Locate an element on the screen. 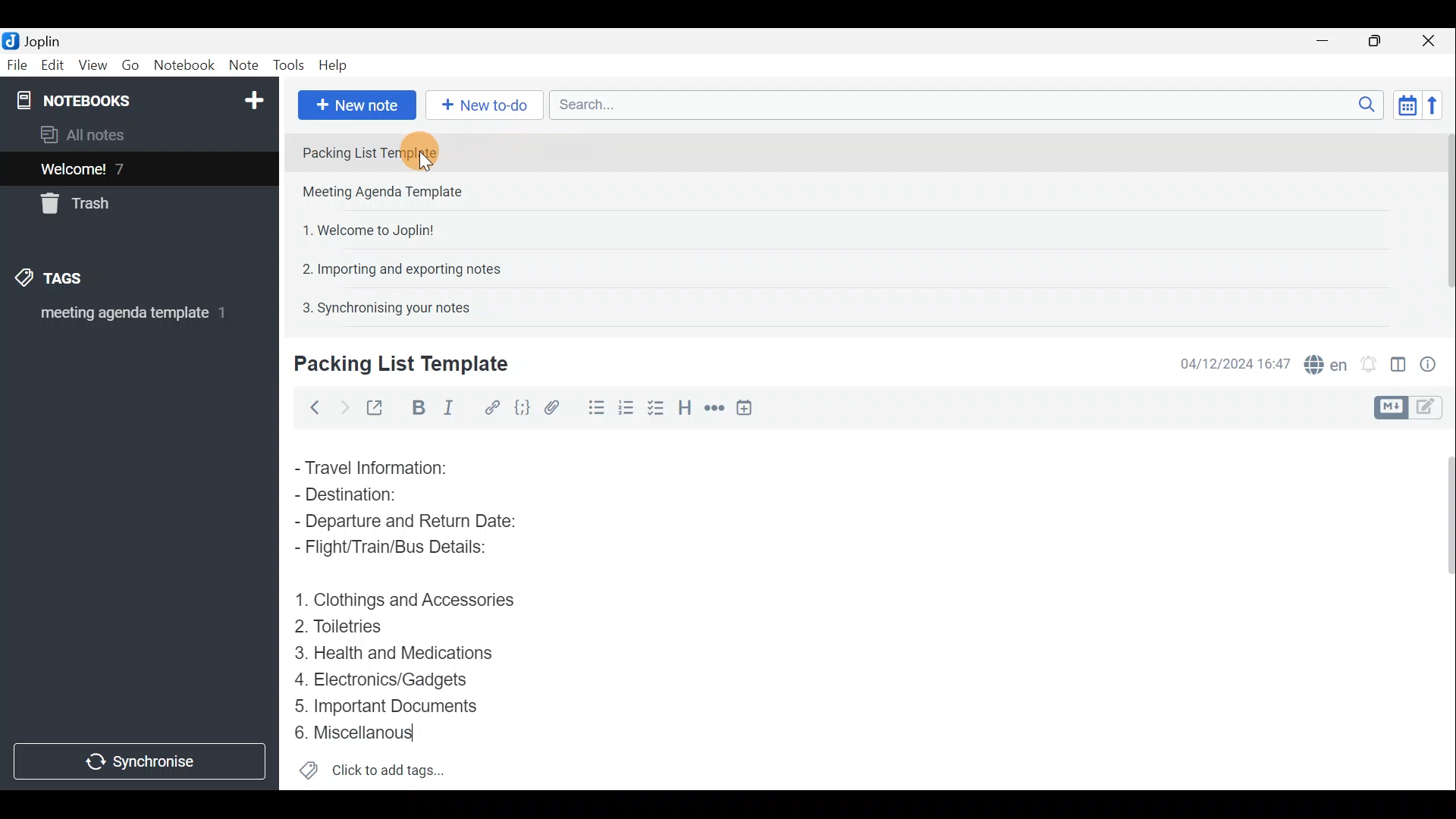  Toggle external editing is located at coordinates (376, 406).